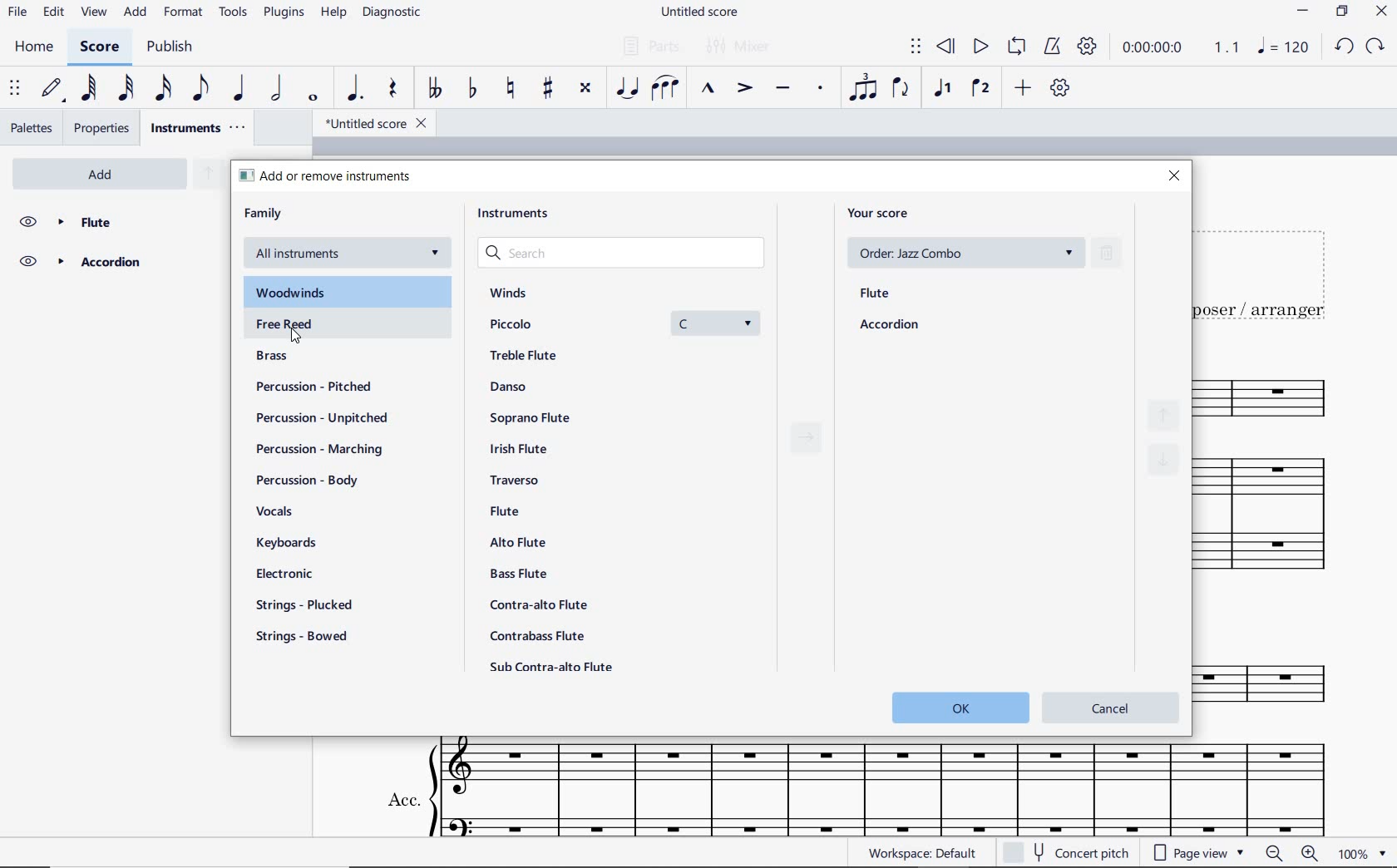 This screenshot has width=1397, height=868. Describe the element at coordinates (89, 88) in the screenshot. I see `64th note` at that location.